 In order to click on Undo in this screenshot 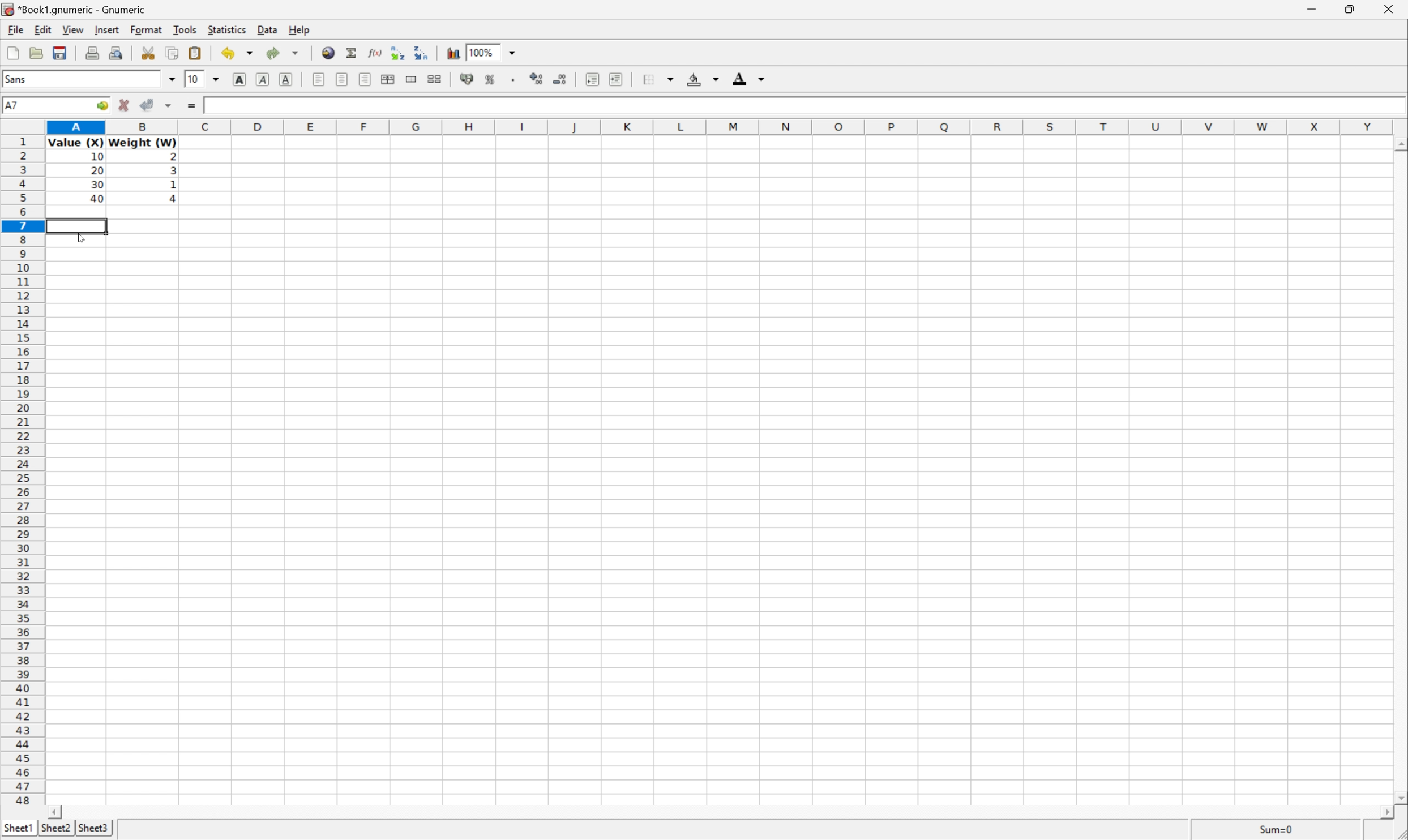, I will do `click(239, 52)`.